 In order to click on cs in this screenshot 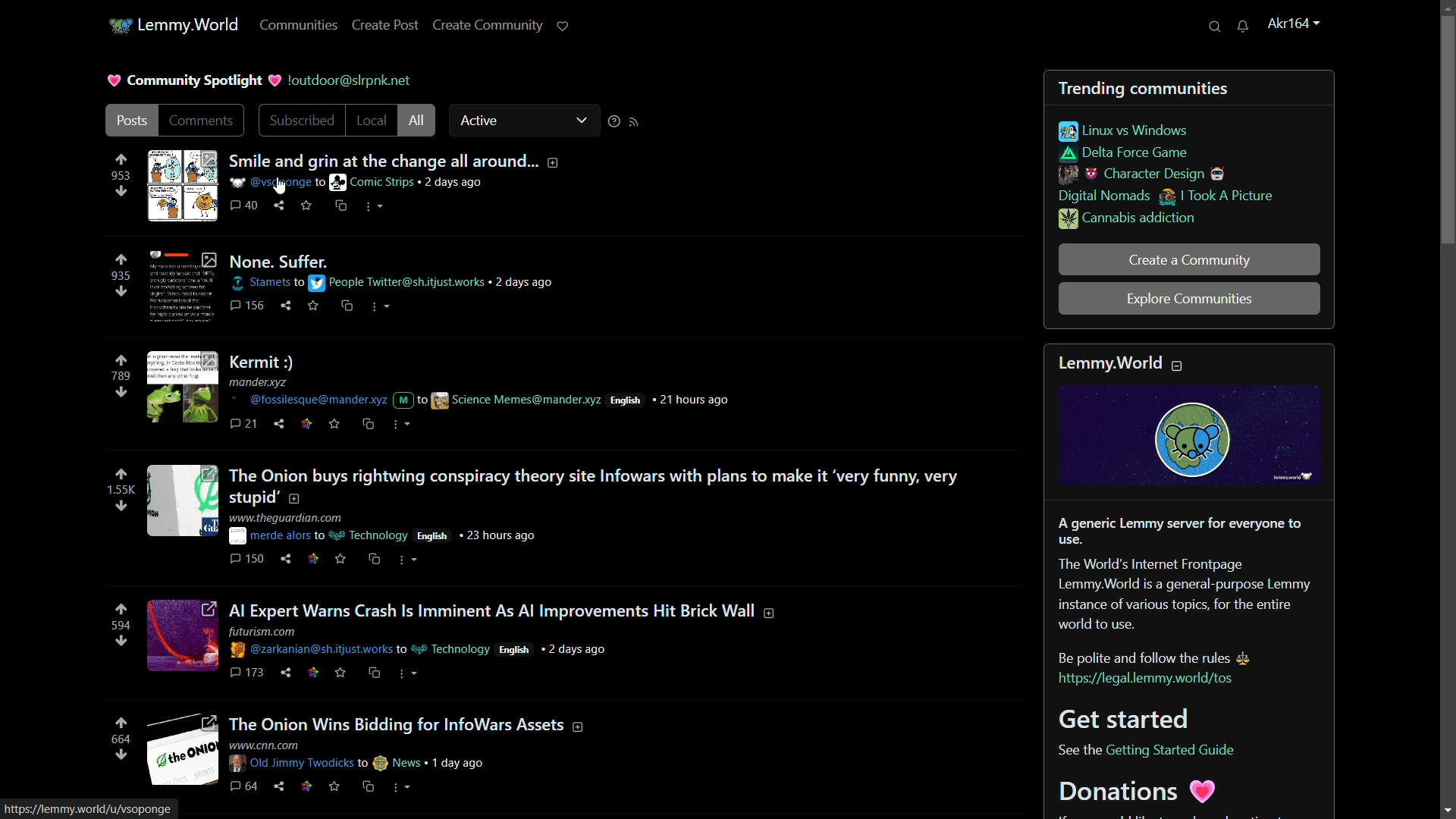, I will do `click(373, 673)`.